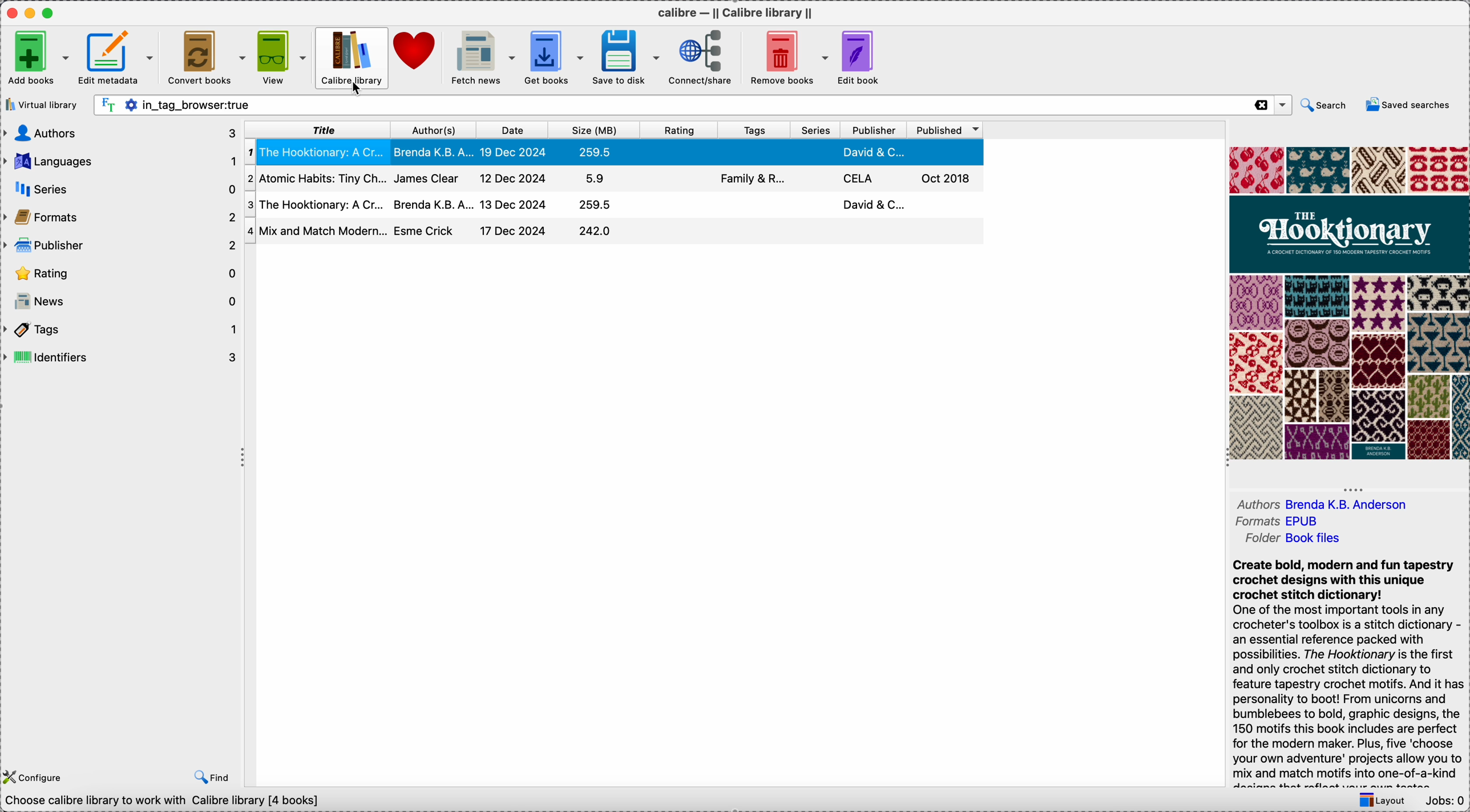  I want to click on close, so click(1260, 105).